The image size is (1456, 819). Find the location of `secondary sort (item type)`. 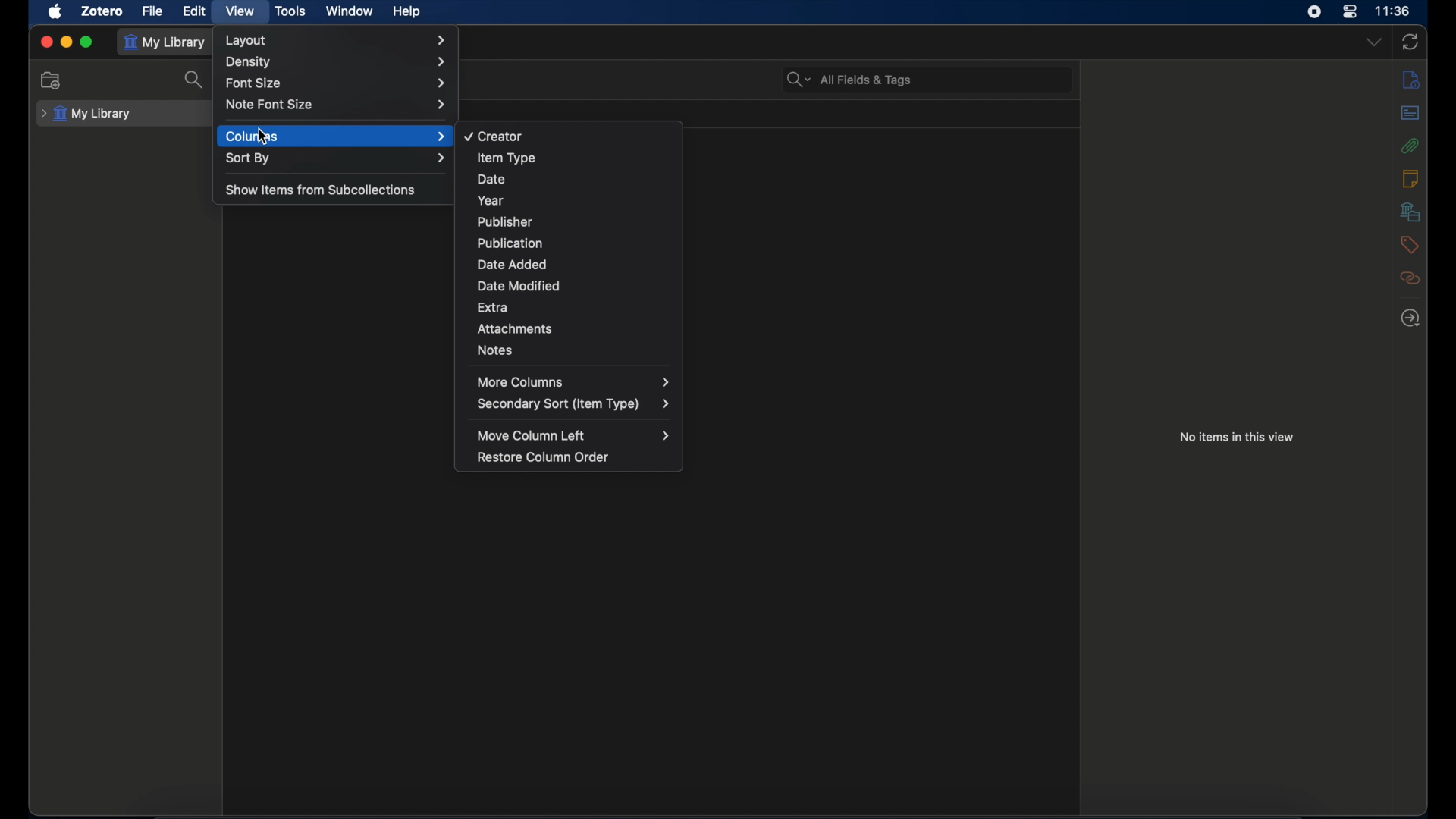

secondary sort (item type) is located at coordinates (575, 404).